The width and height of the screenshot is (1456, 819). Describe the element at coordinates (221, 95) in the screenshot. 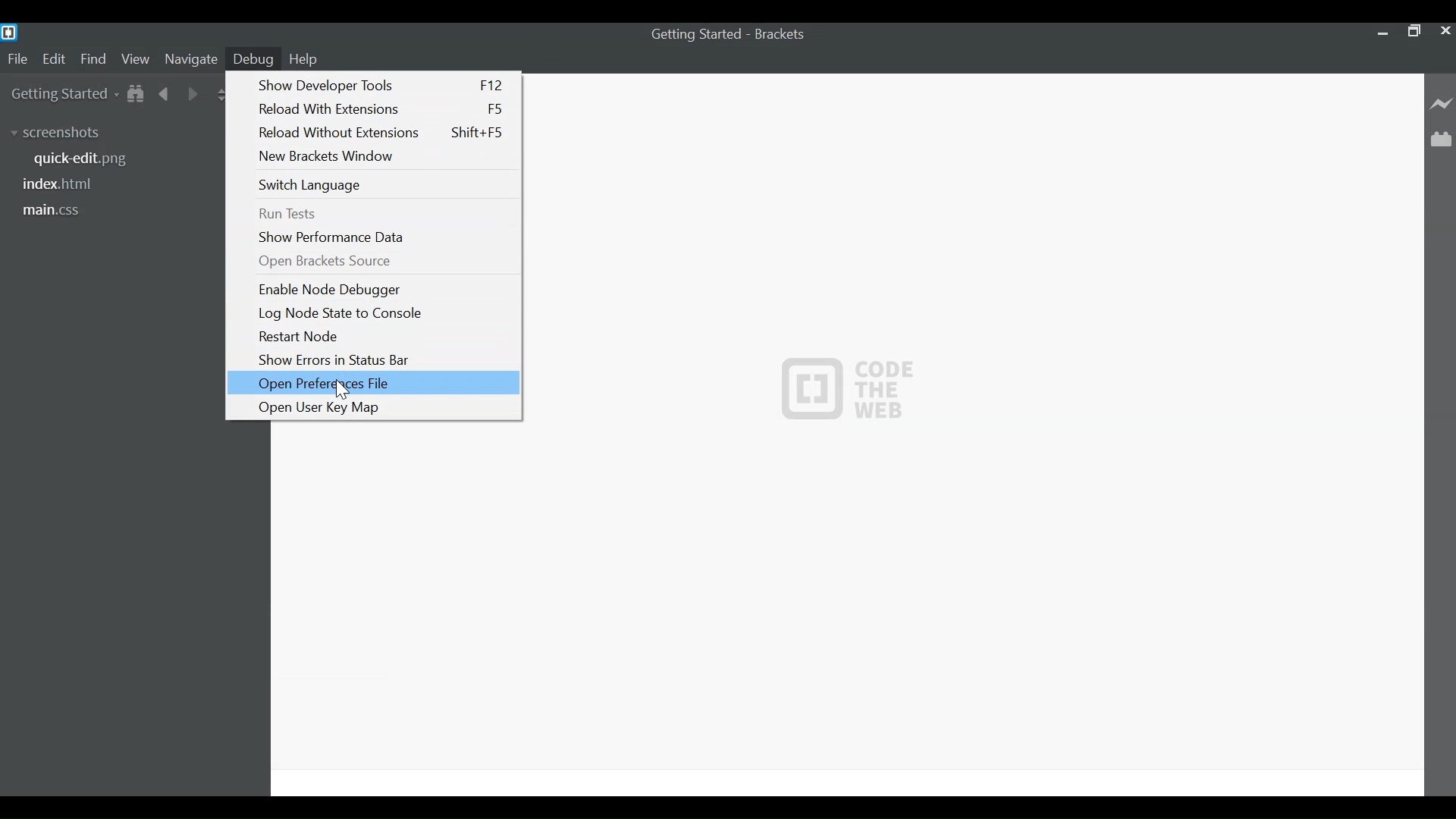

I see `Split the Editor Vertically or horizontally` at that location.